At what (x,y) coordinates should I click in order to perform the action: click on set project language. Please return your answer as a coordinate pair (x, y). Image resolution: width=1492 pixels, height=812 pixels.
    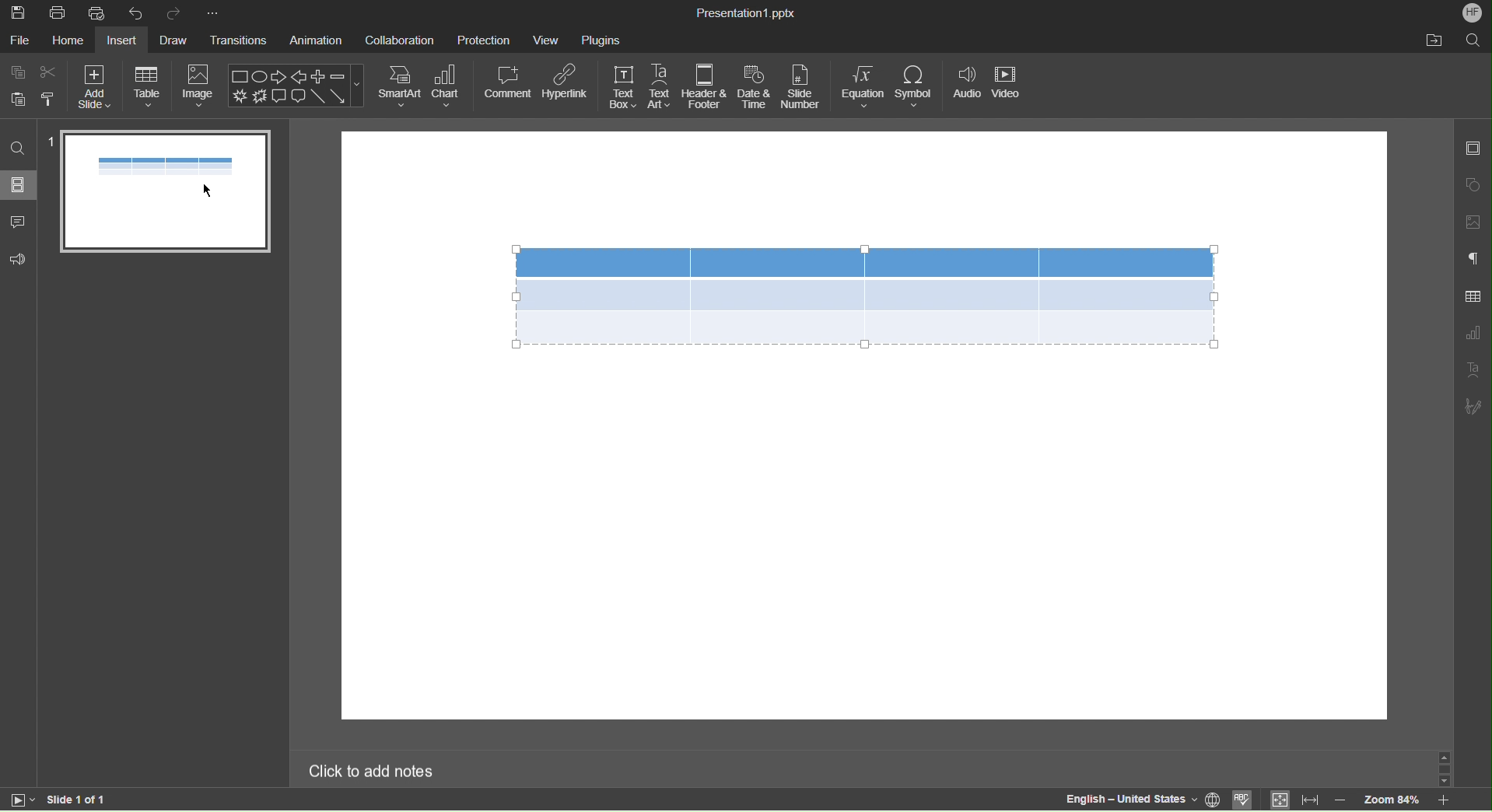
    Looking at the image, I should click on (1214, 798).